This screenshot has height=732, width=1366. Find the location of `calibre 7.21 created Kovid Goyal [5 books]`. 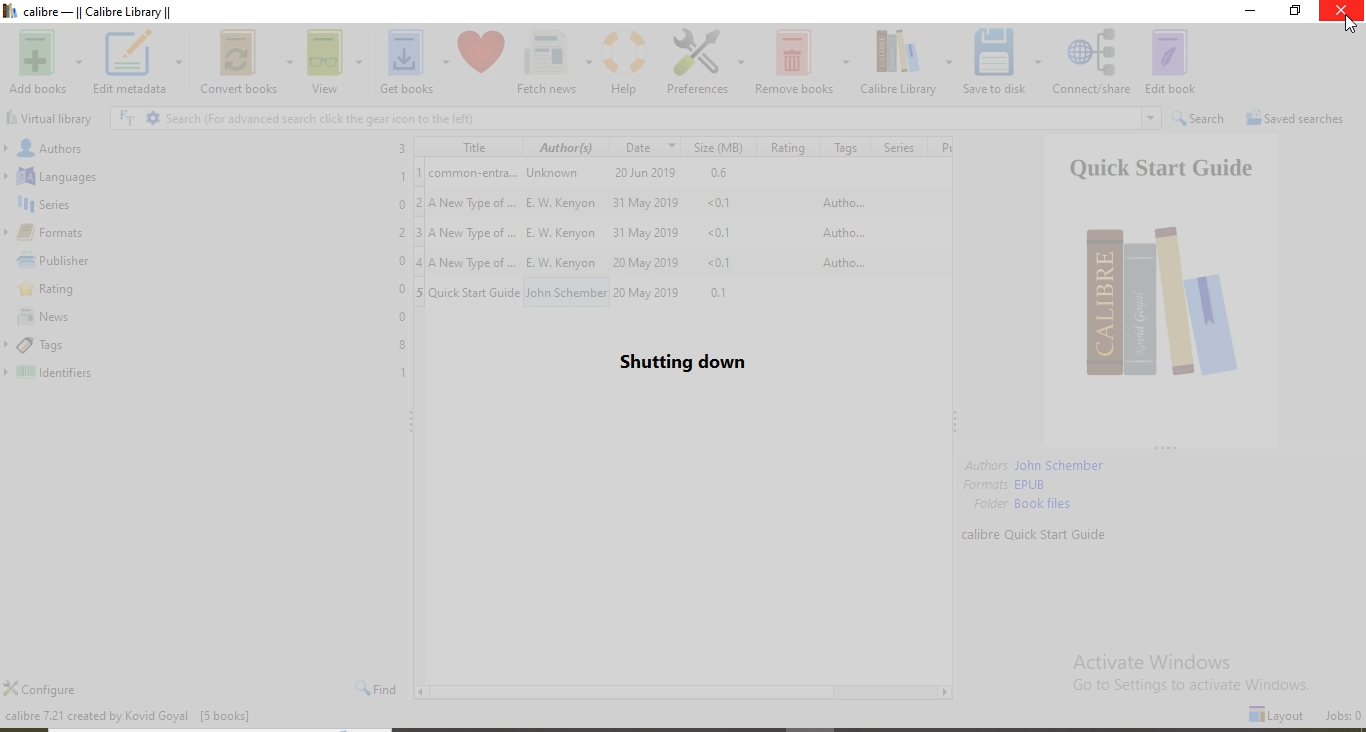

calibre 7.21 created Kovid Goyal [5 books] is located at coordinates (127, 714).